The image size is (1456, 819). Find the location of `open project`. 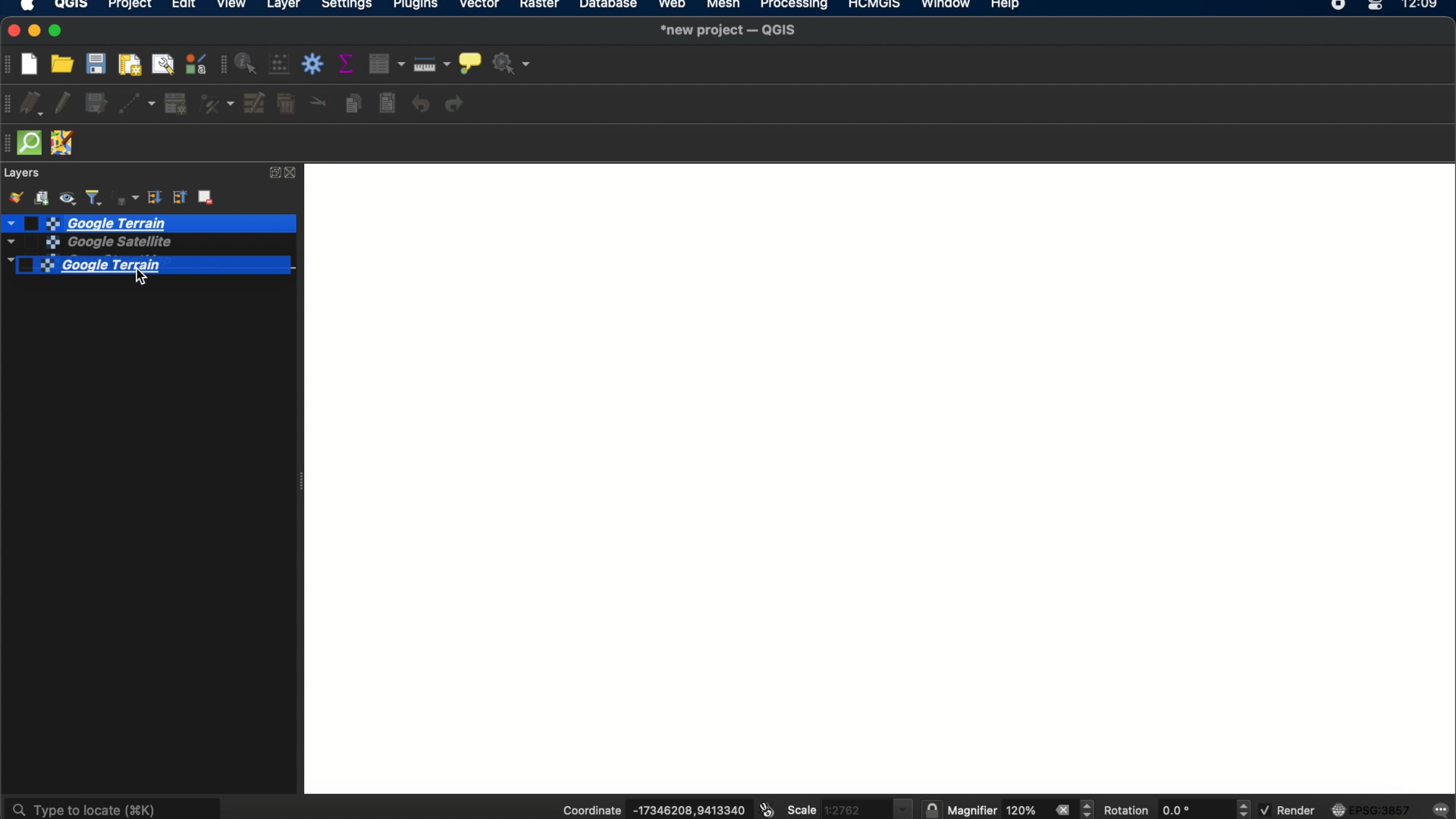

open project is located at coordinates (64, 64).